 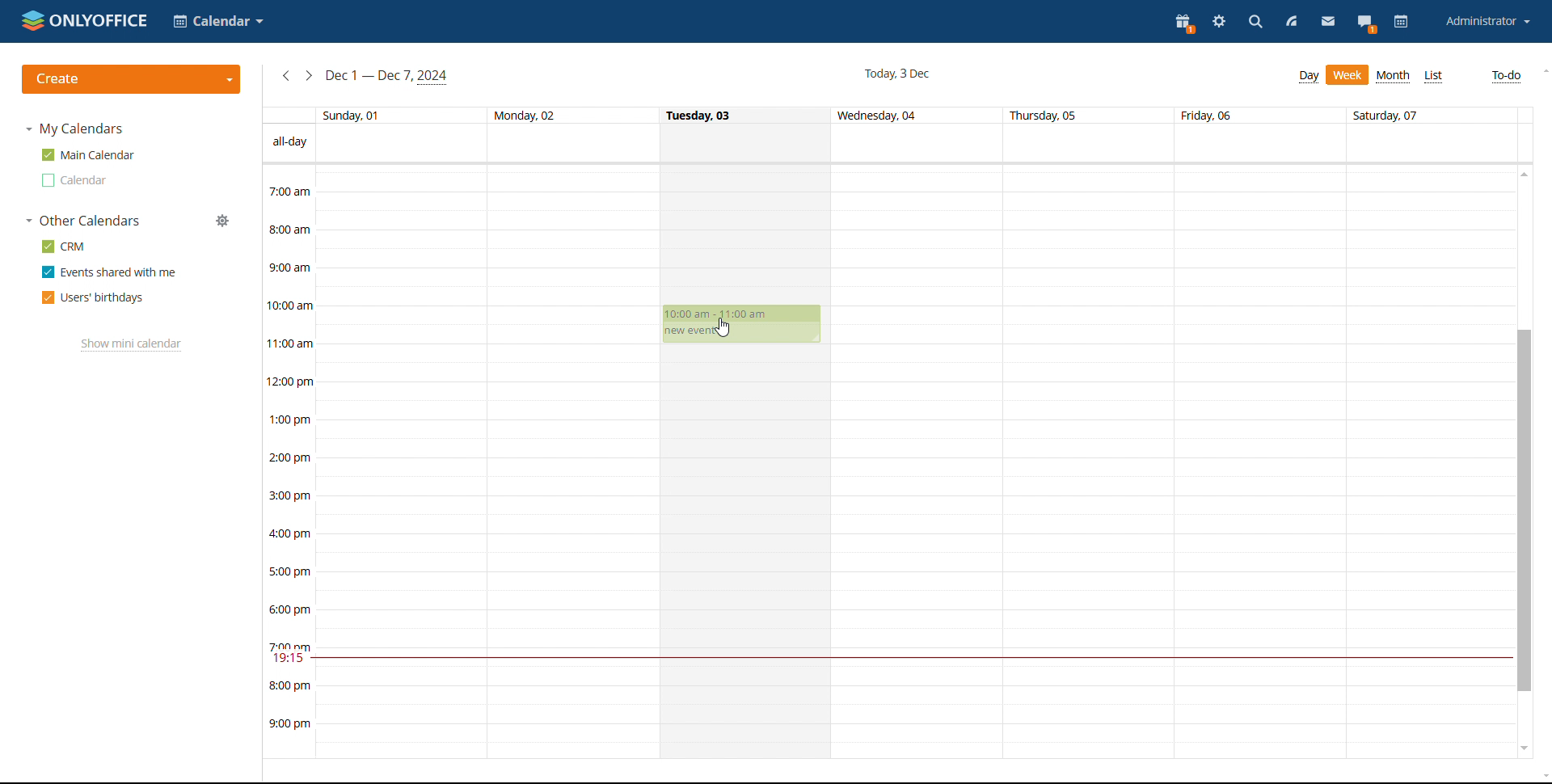 What do you see at coordinates (1209, 115) in the screenshot?
I see `Friday, 06` at bounding box center [1209, 115].